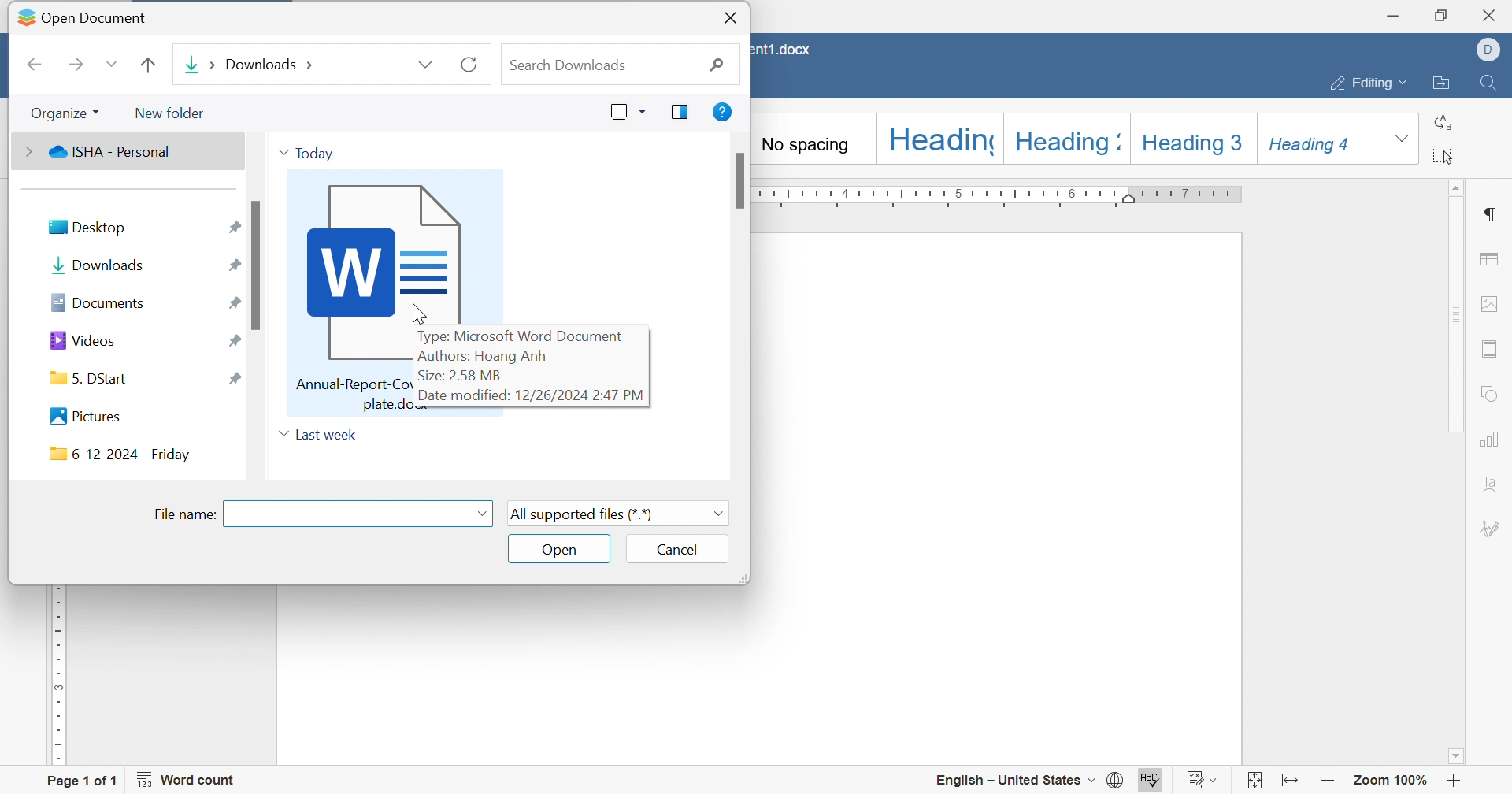  Describe the element at coordinates (622, 513) in the screenshot. I see `file extension` at that location.